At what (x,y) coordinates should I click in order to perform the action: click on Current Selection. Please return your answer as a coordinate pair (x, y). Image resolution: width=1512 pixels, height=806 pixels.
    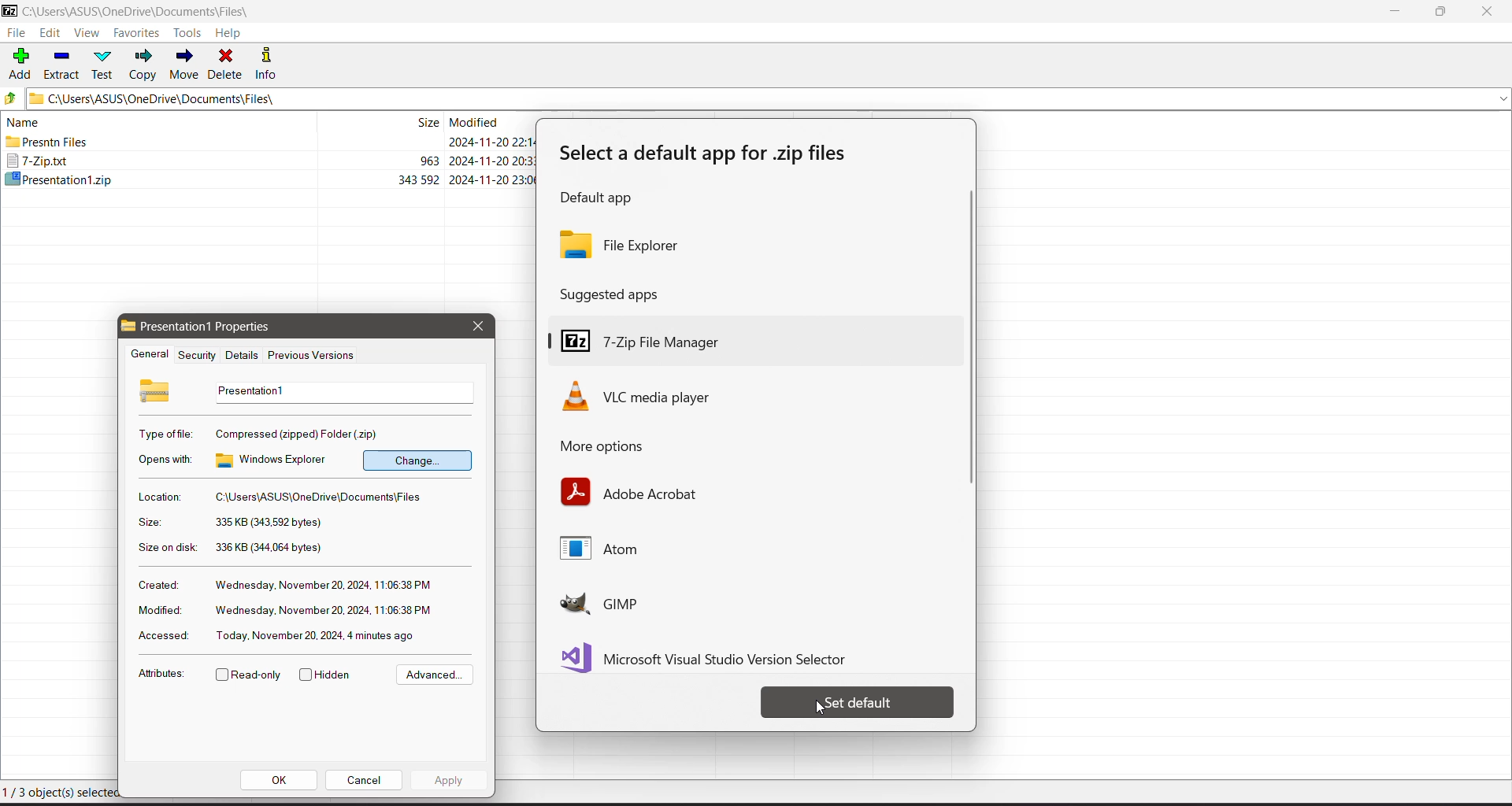
    Looking at the image, I should click on (61, 793).